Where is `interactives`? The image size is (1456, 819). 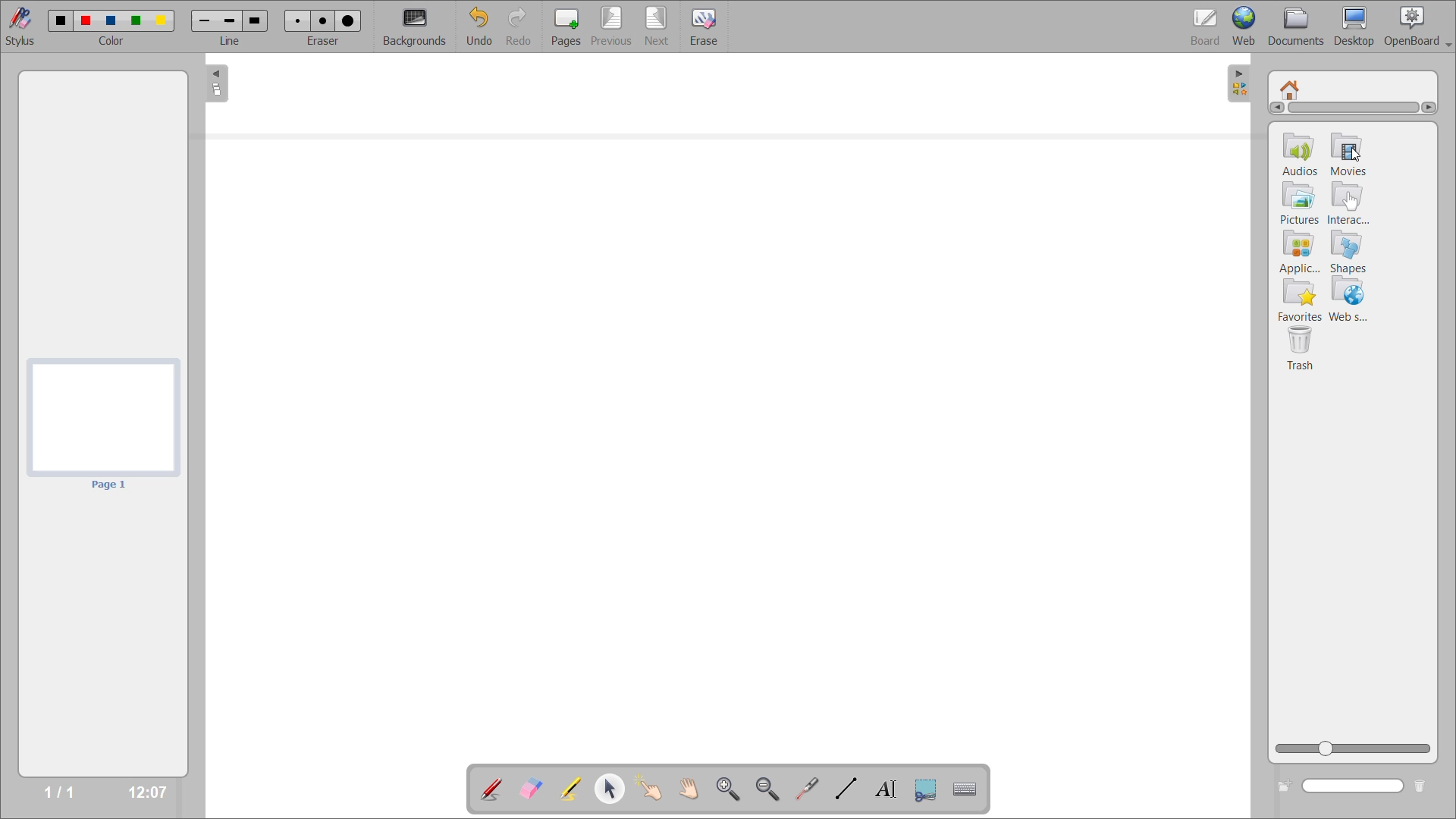
interactives is located at coordinates (1349, 204).